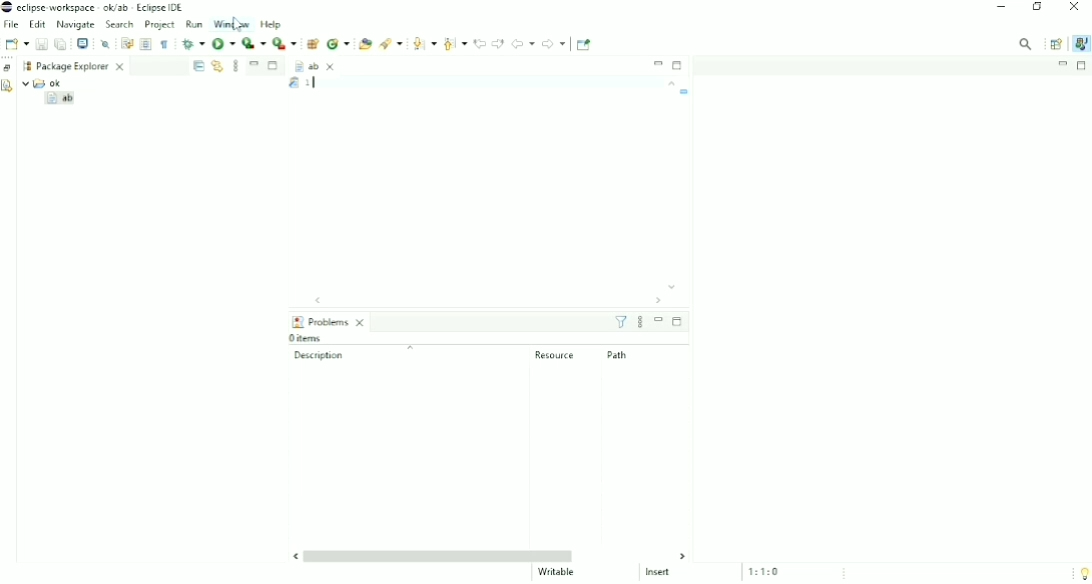  I want to click on Problems, so click(331, 321).